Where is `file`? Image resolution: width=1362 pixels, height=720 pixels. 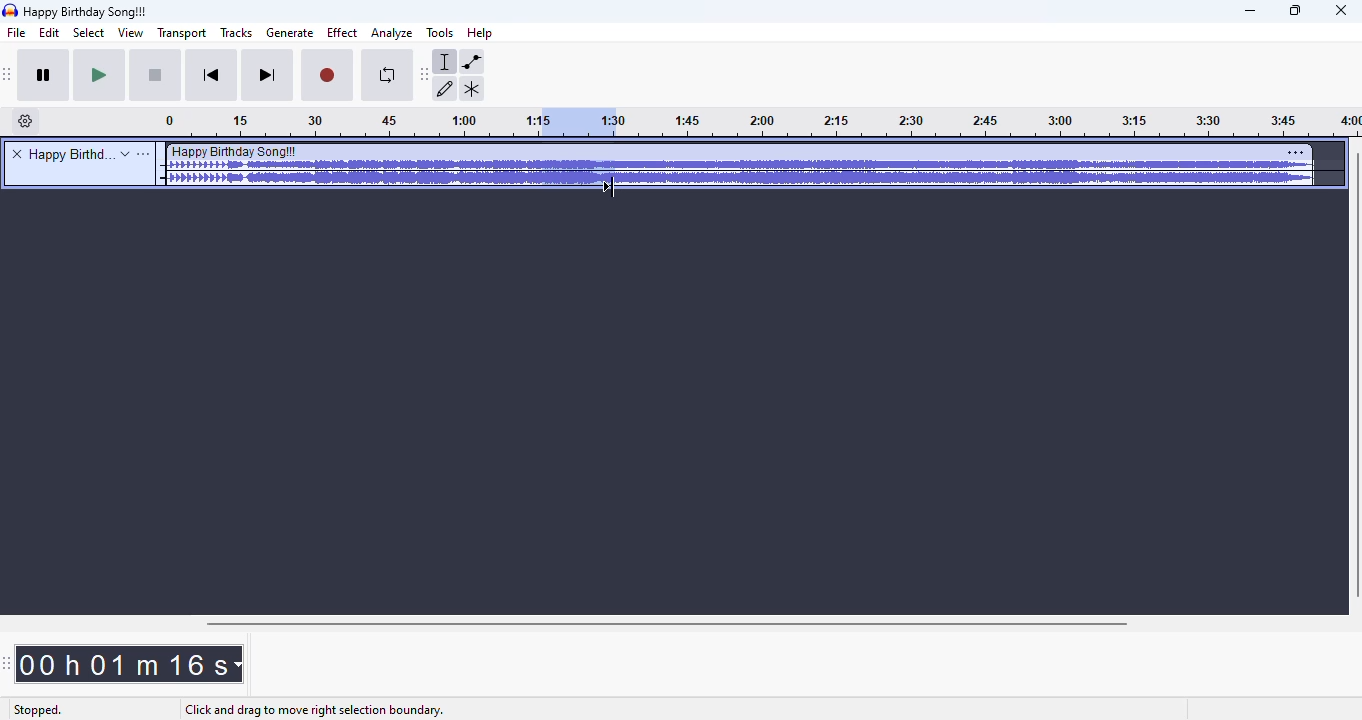 file is located at coordinates (17, 33).